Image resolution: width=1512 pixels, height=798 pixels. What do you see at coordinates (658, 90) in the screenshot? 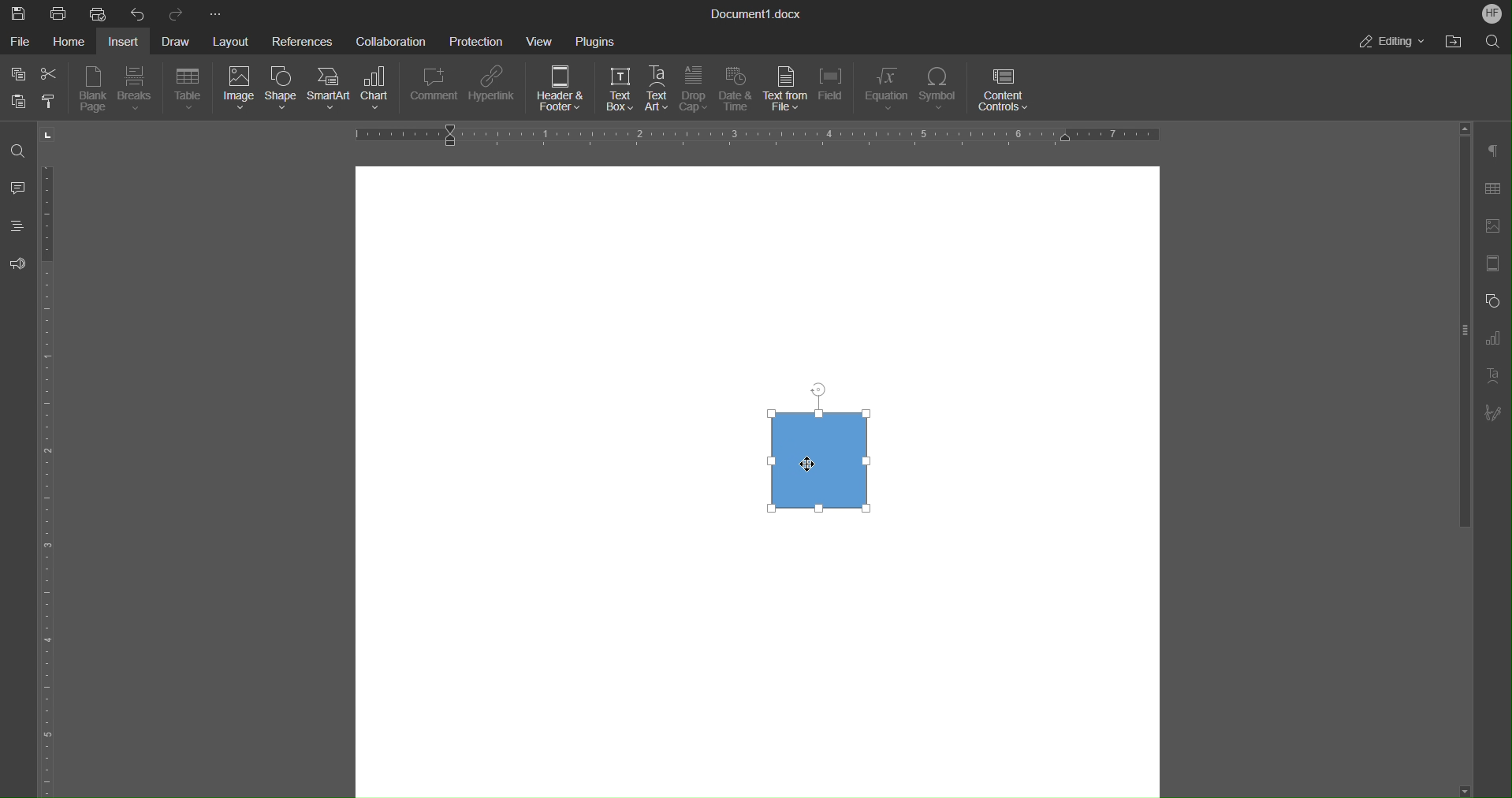
I see `Text Art` at bounding box center [658, 90].